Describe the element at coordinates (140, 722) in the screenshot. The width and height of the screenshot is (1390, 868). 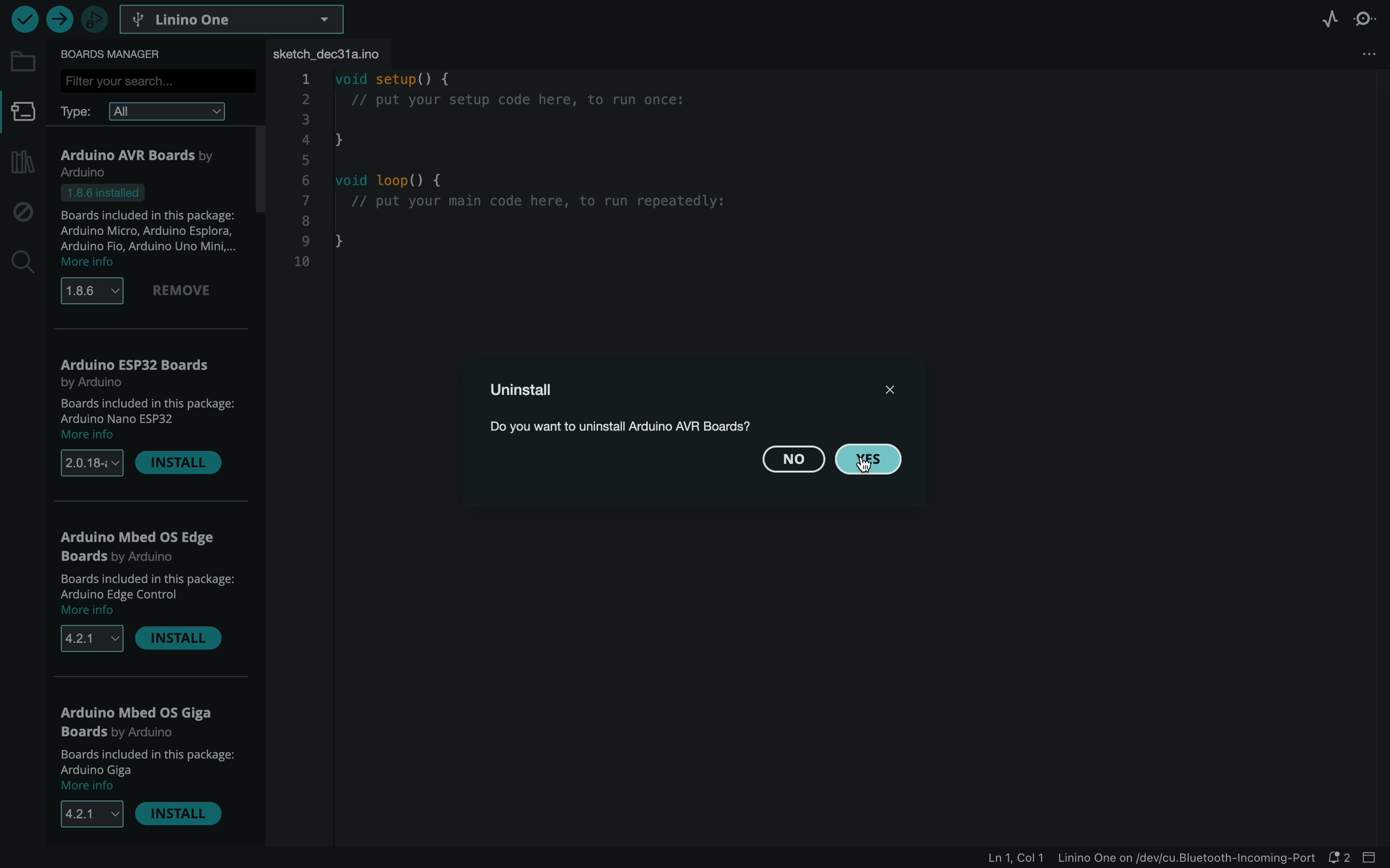
I see `OS Giga boards` at that location.